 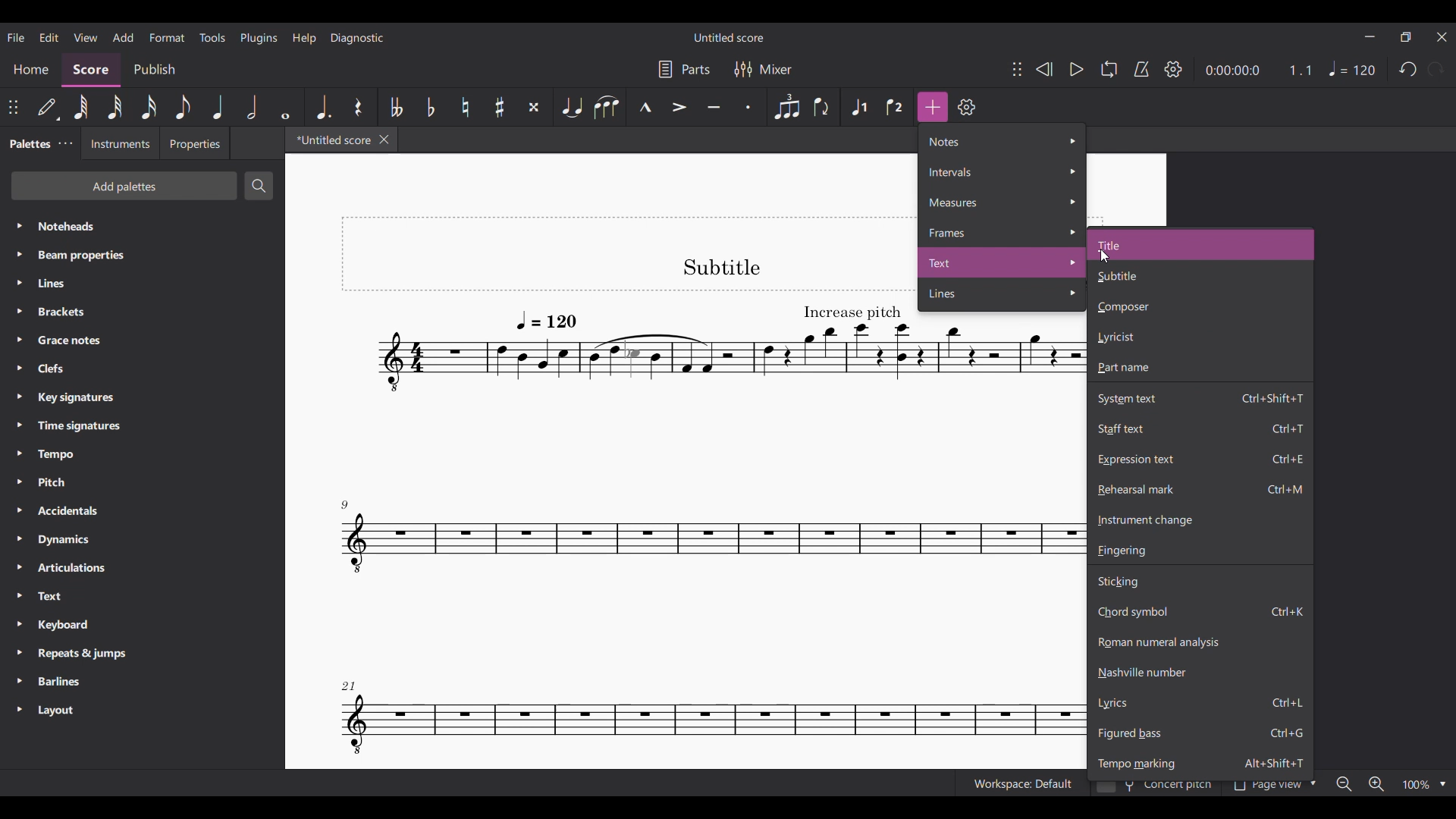 I want to click on Clefs, so click(x=141, y=369).